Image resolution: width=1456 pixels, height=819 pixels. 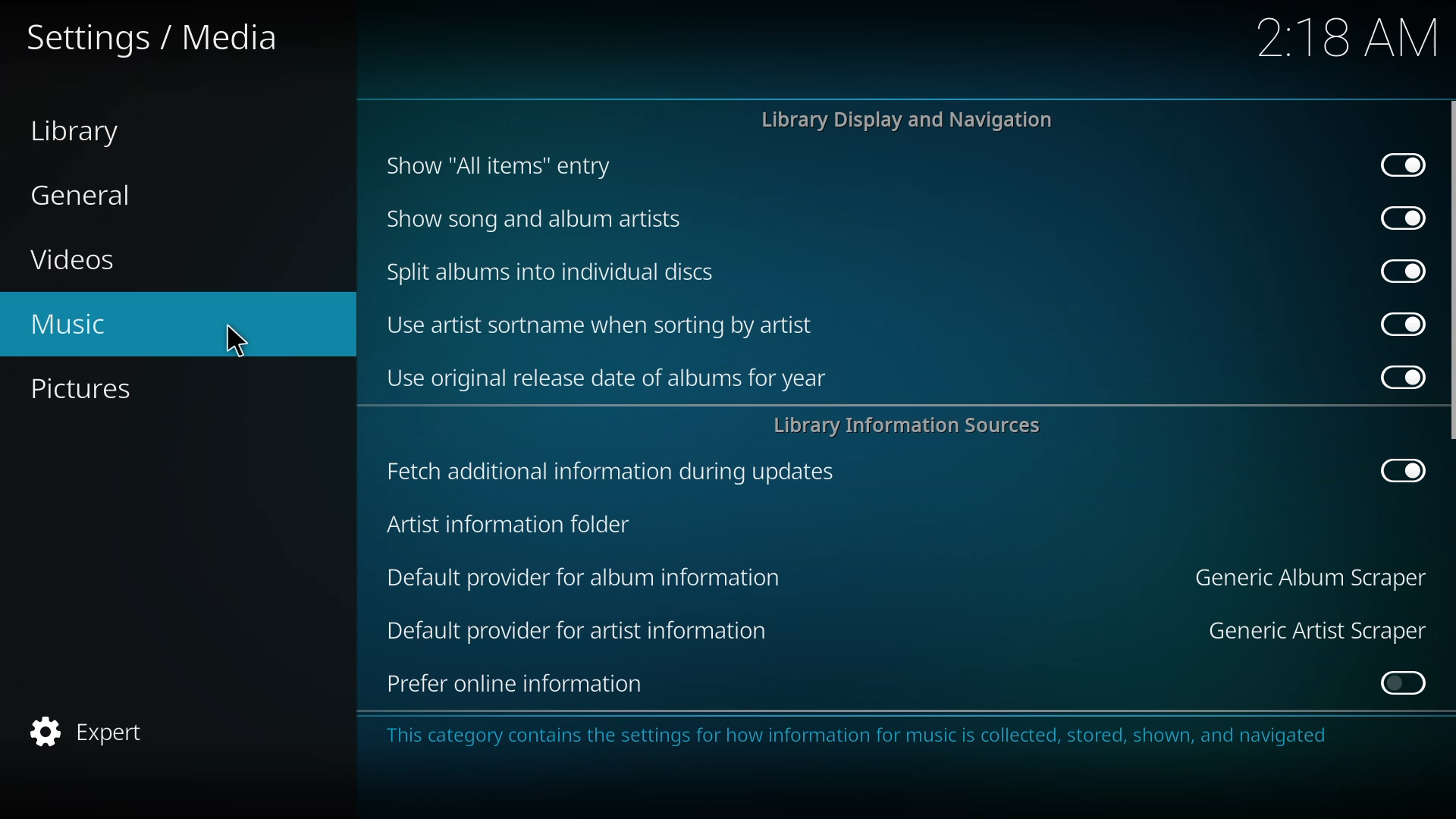 I want to click on enabled, so click(x=1395, y=324).